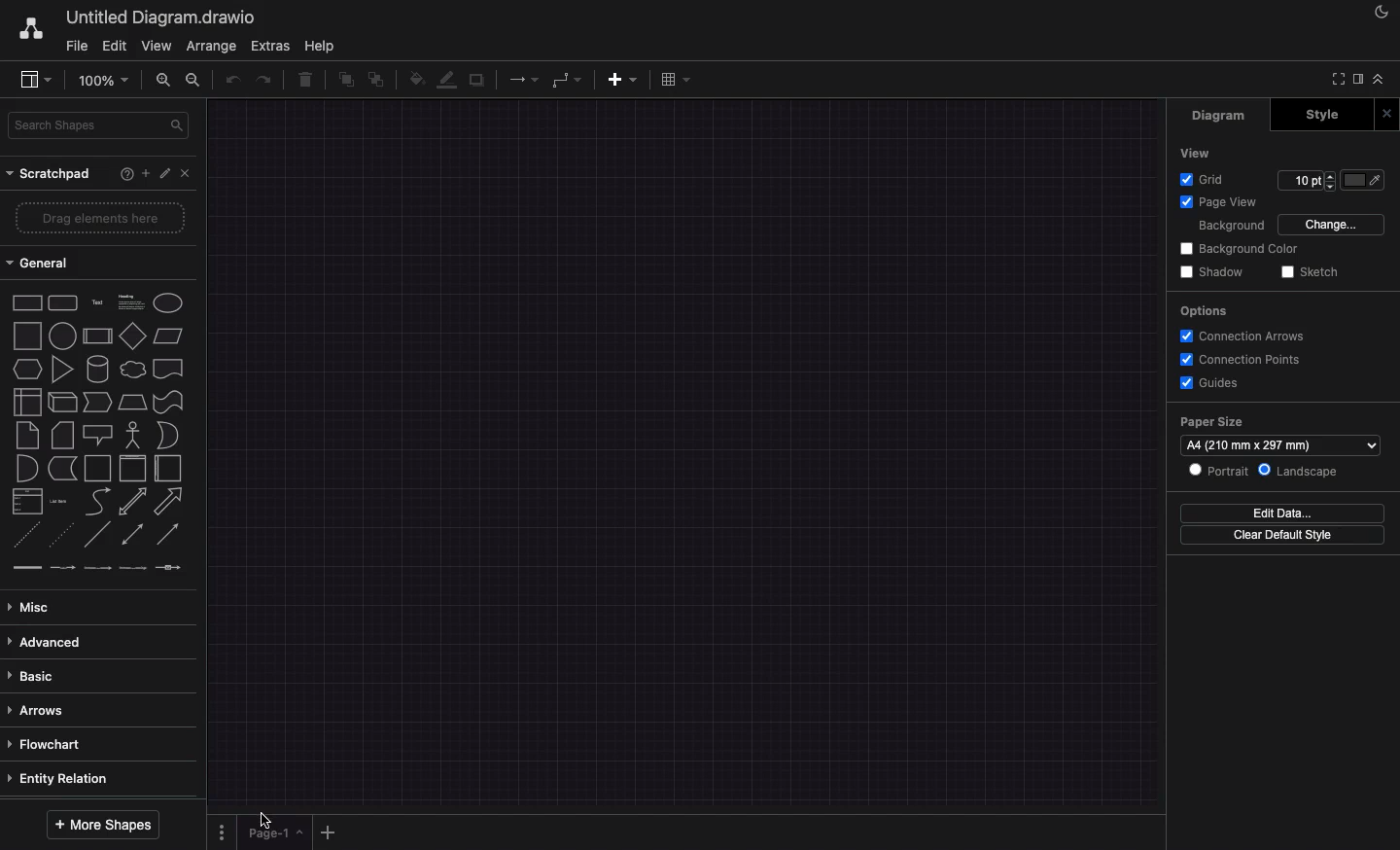  I want to click on directional connector, so click(167, 534).